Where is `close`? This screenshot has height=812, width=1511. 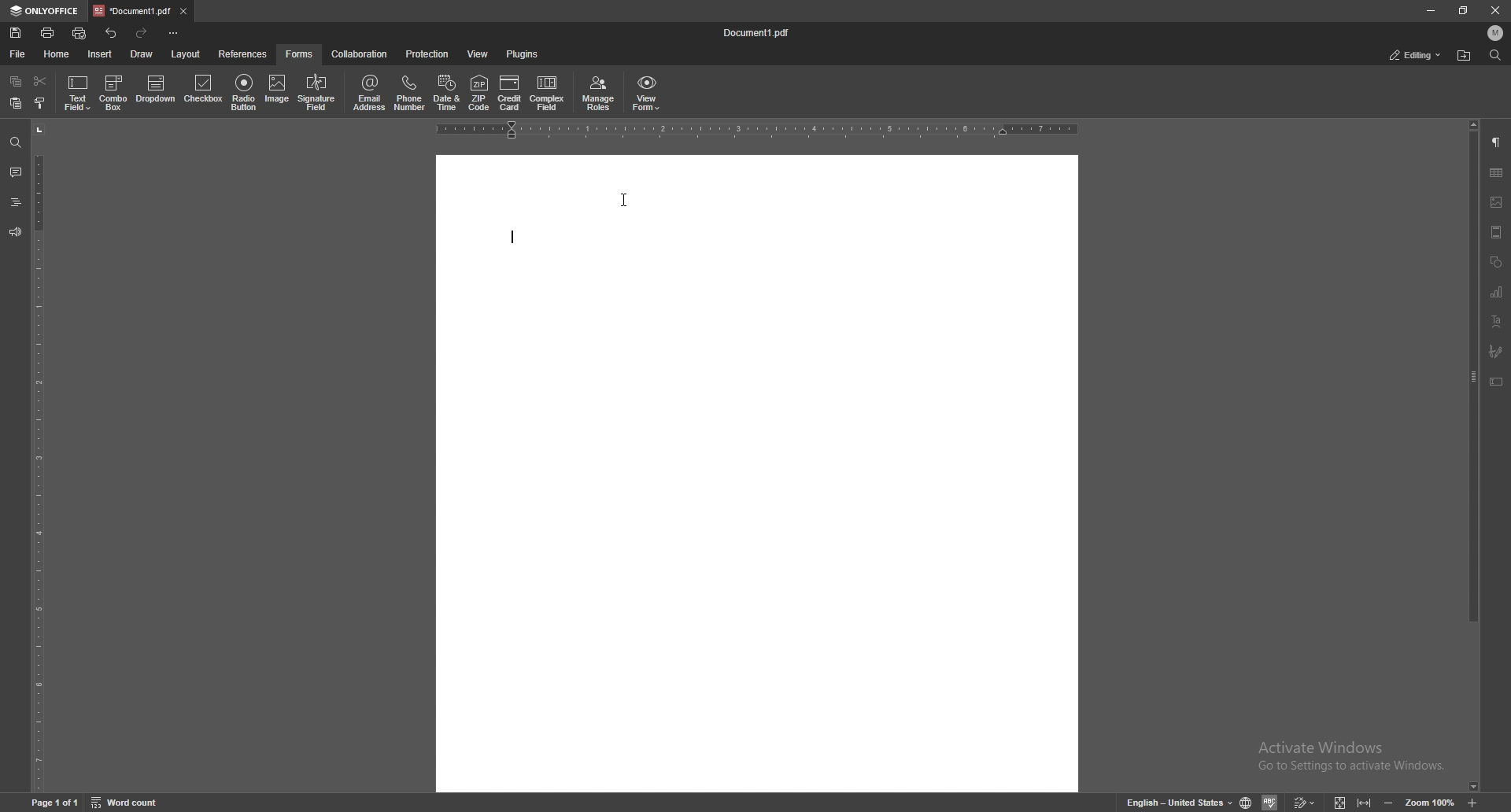
close is located at coordinates (1494, 10).